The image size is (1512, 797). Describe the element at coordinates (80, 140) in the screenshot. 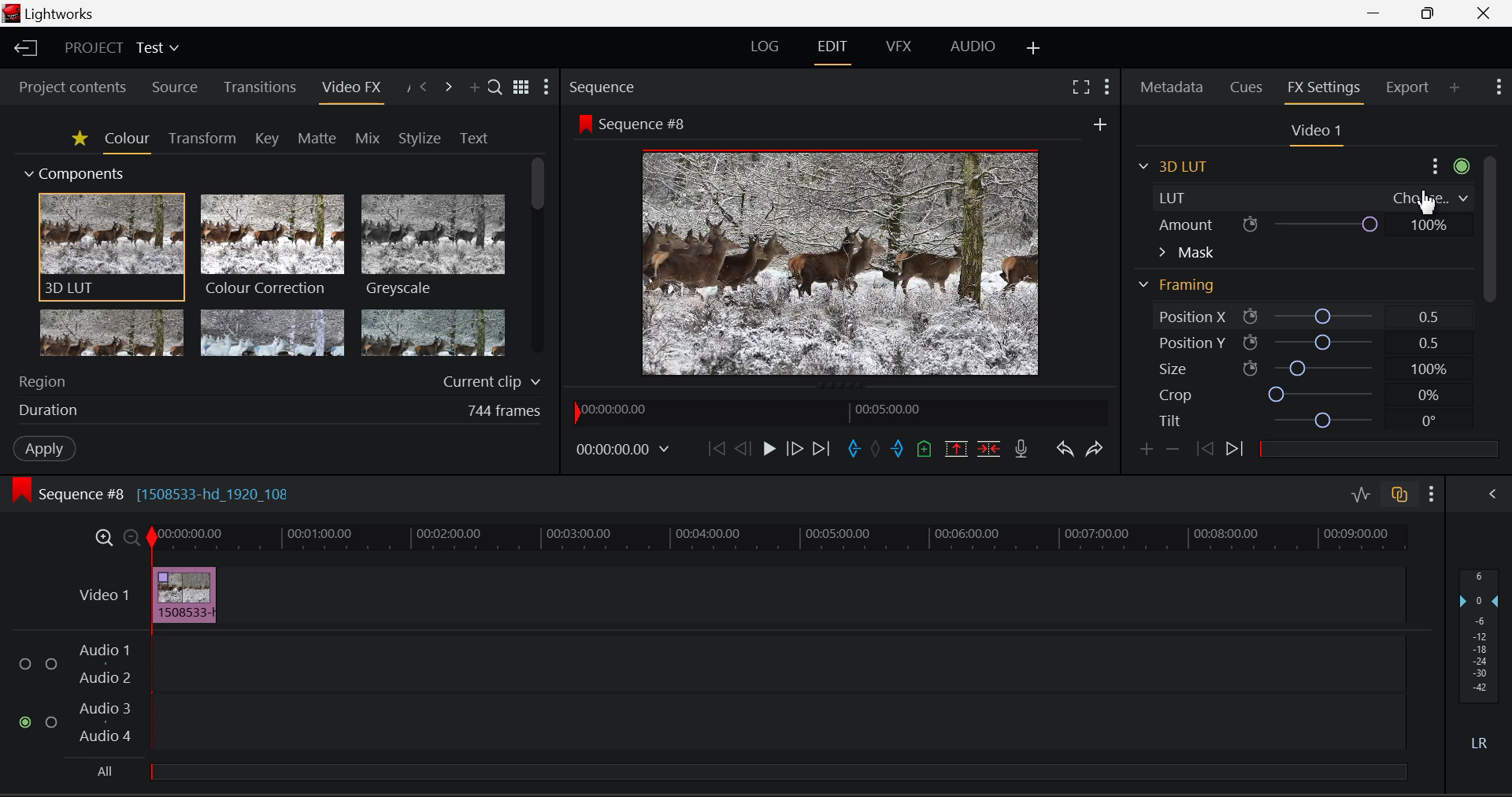

I see `Favorites` at that location.